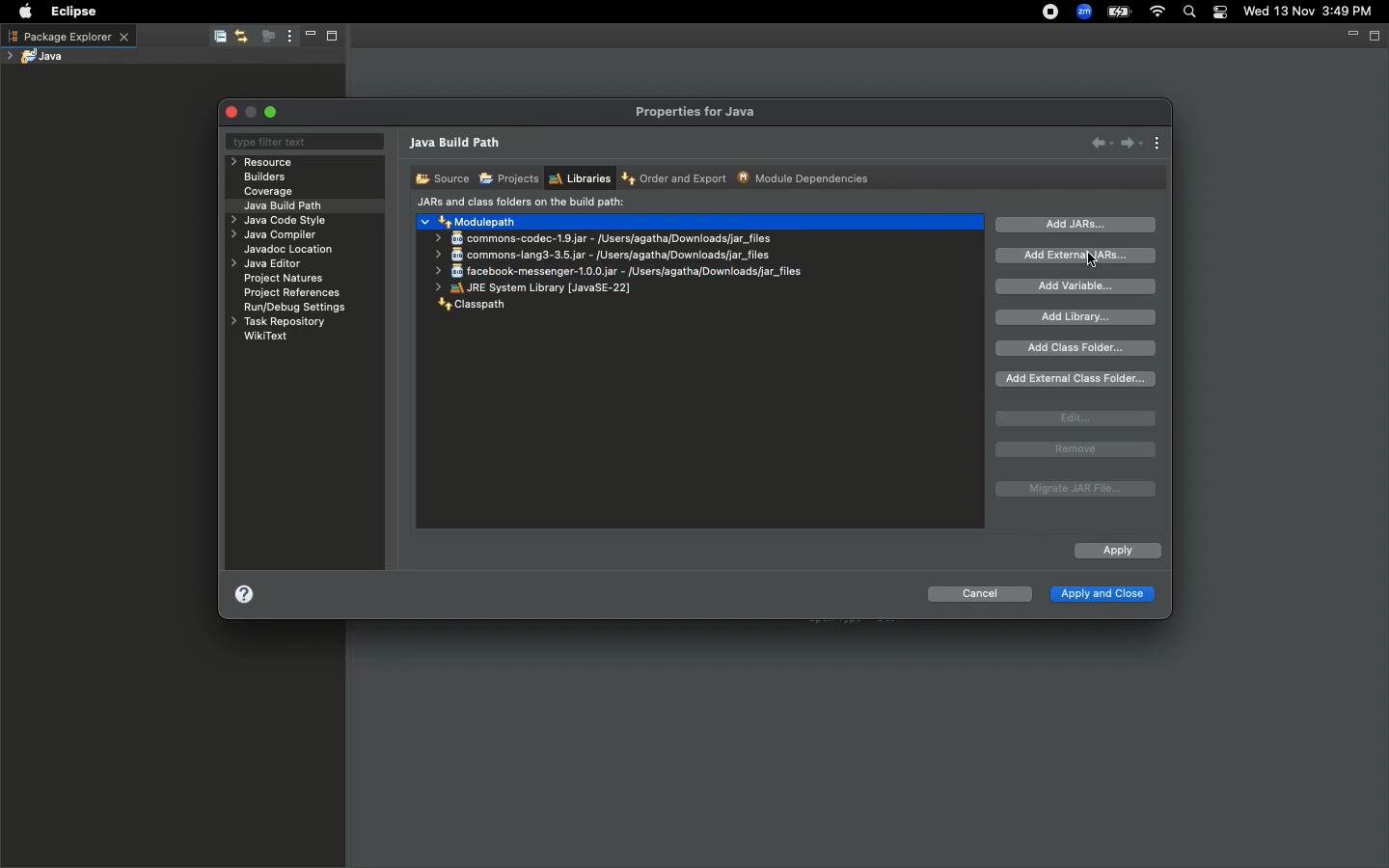 The image size is (1389, 868). Describe the element at coordinates (265, 177) in the screenshot. I see `Builders` at that location.